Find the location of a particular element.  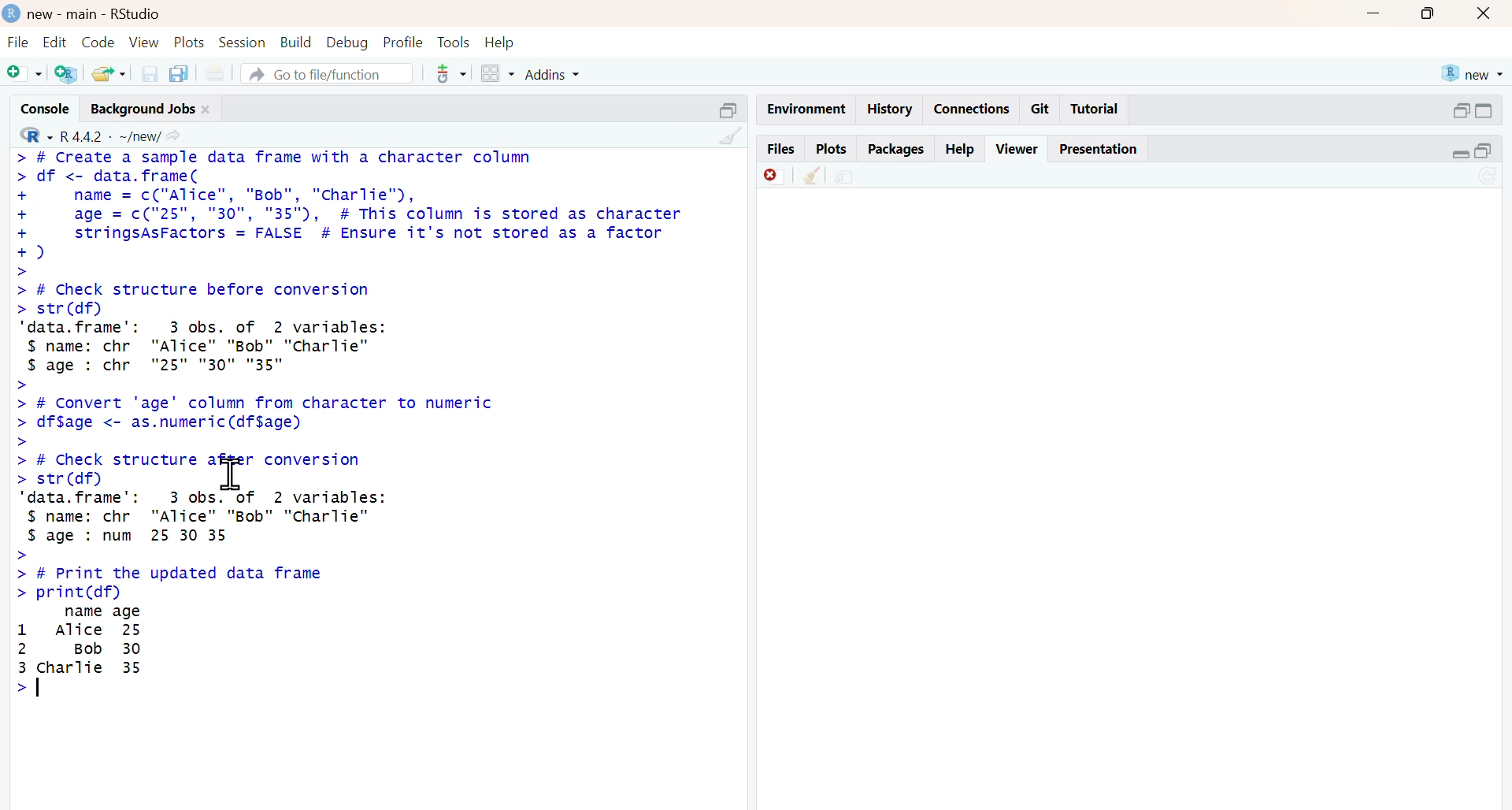

Environment  is located at coordinates (807, 109).